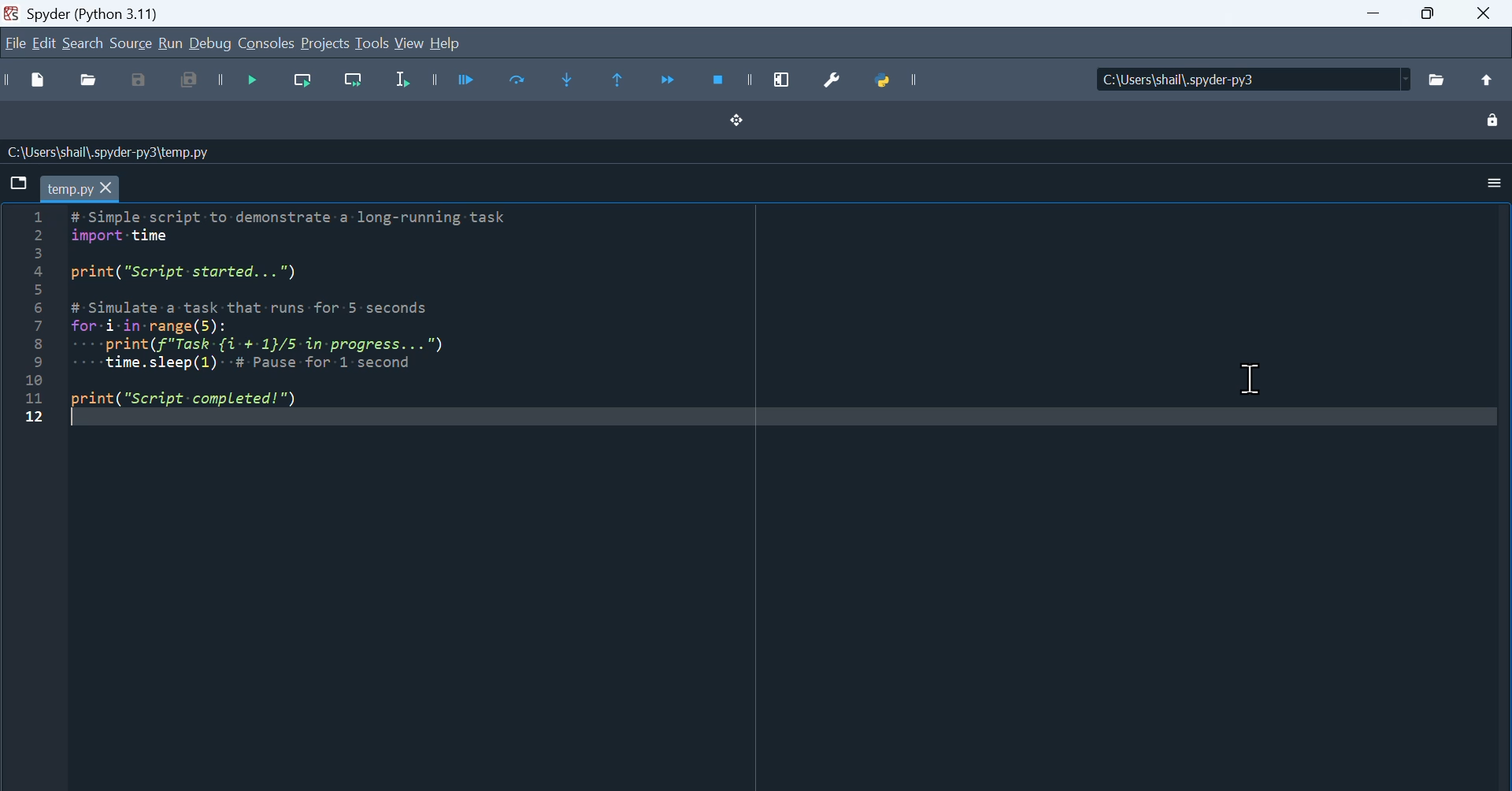  What do you see at coordinates (304, 309) in the screenshot?
I see `Simple script to demonstrate a long running task` at bounding box center [304, 309].